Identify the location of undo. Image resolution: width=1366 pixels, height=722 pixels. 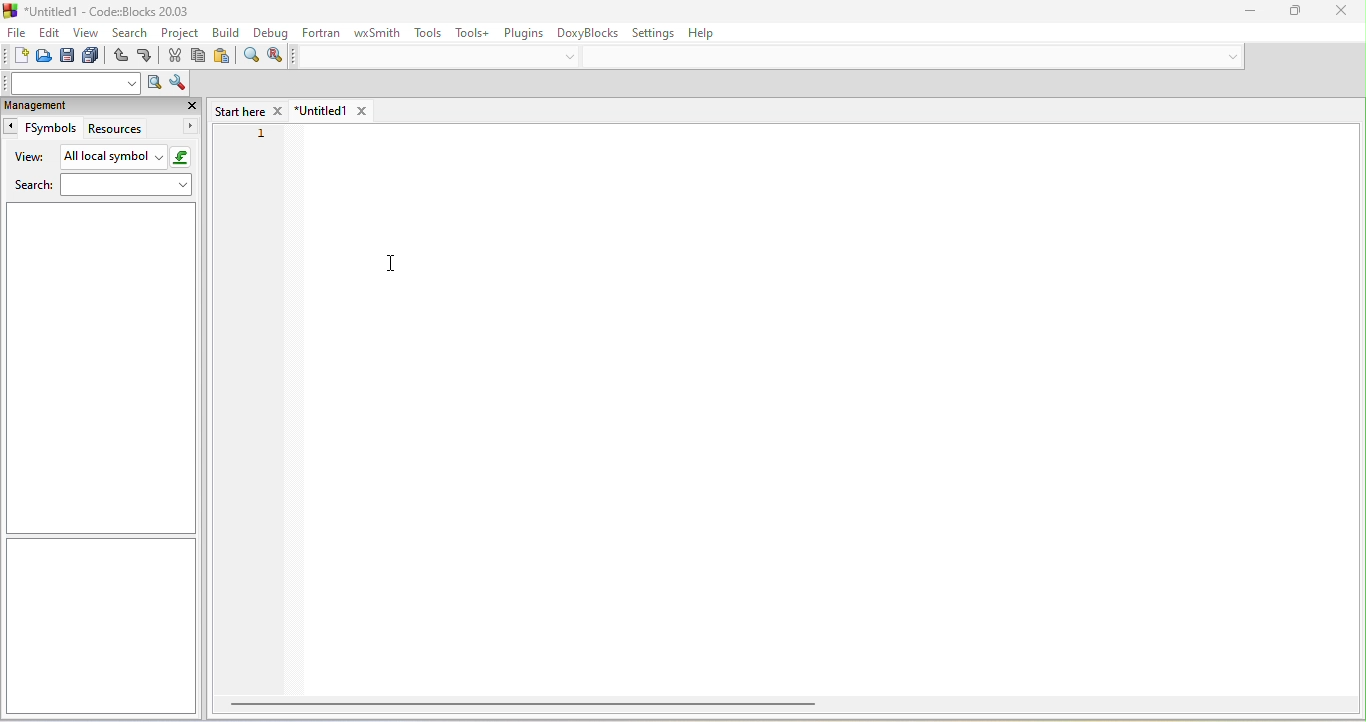
(120, 57).